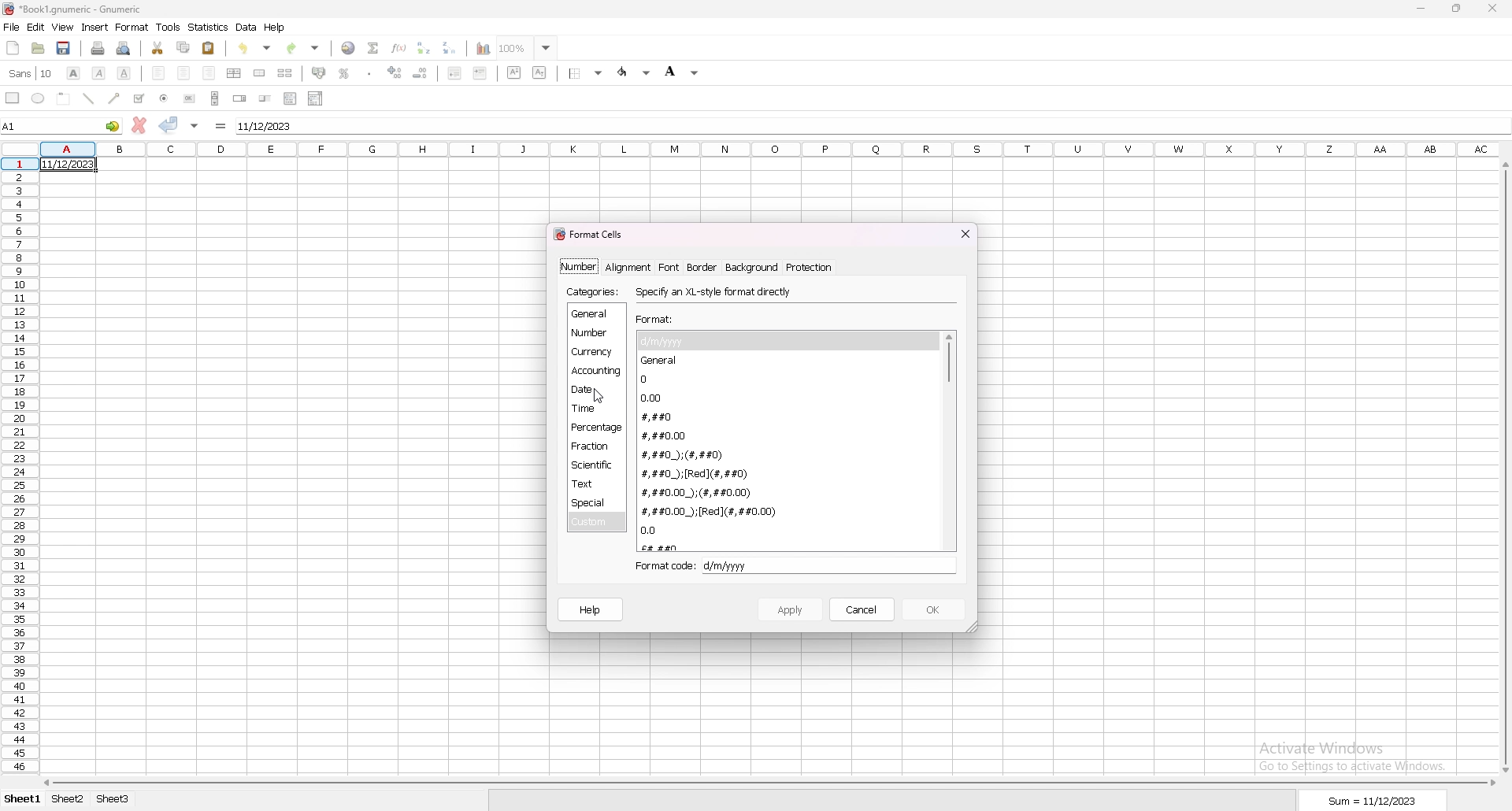  I want to click on function, so click(399, 48).